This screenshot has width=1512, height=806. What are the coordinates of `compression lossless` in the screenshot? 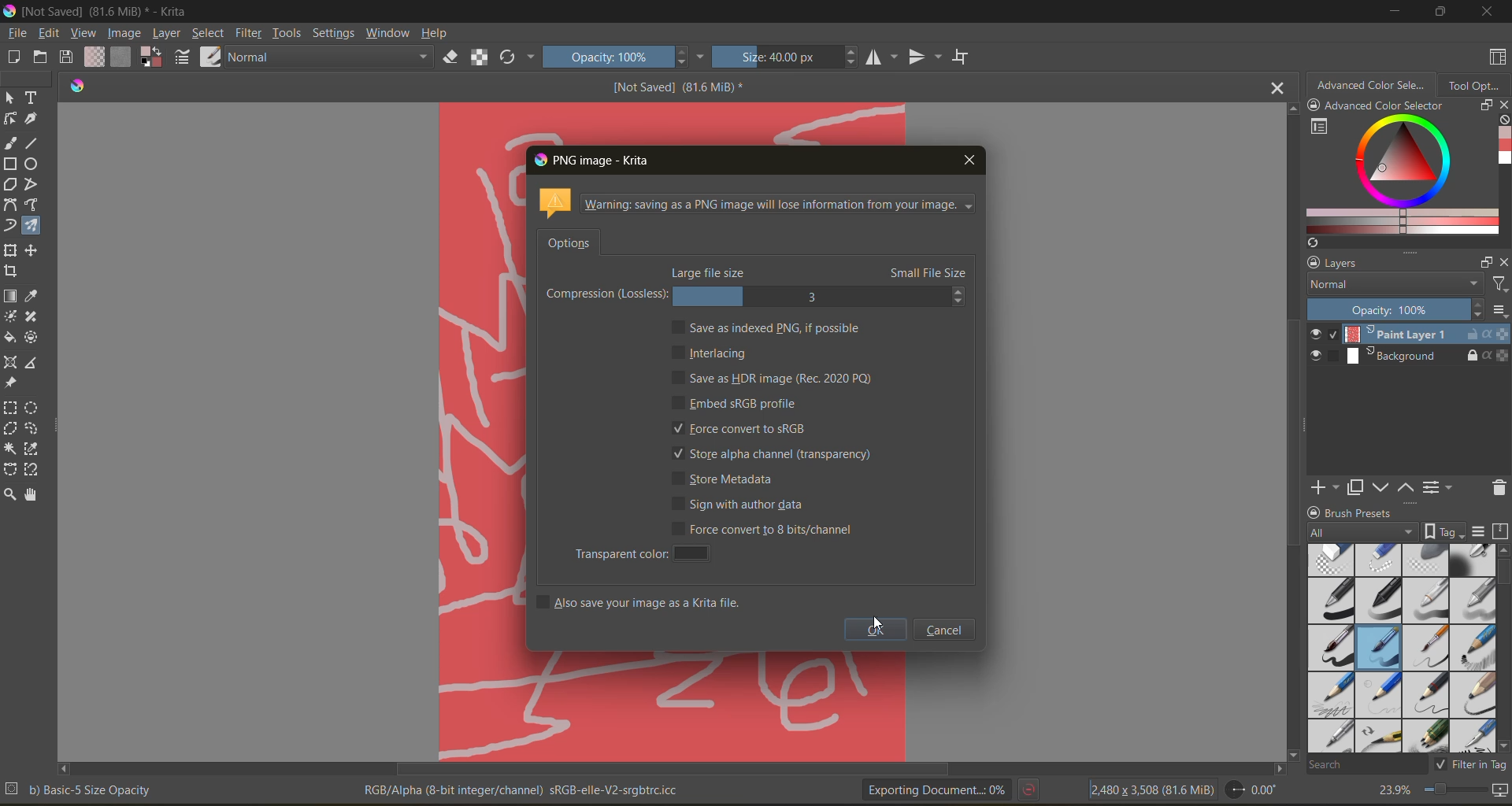 It's located at (754, 297).